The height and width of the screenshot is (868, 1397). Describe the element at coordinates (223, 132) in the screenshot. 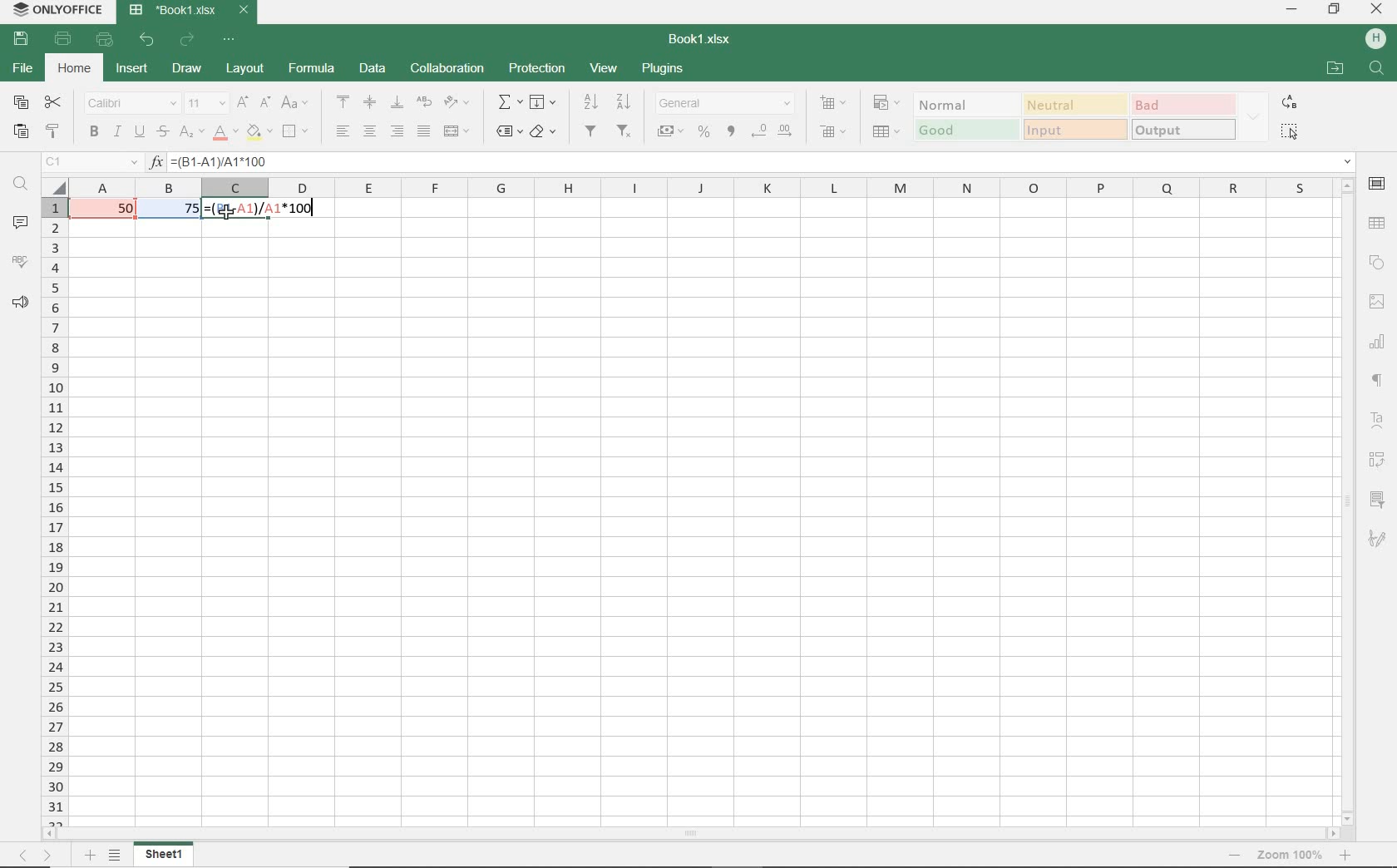

I see `font color` at that location.